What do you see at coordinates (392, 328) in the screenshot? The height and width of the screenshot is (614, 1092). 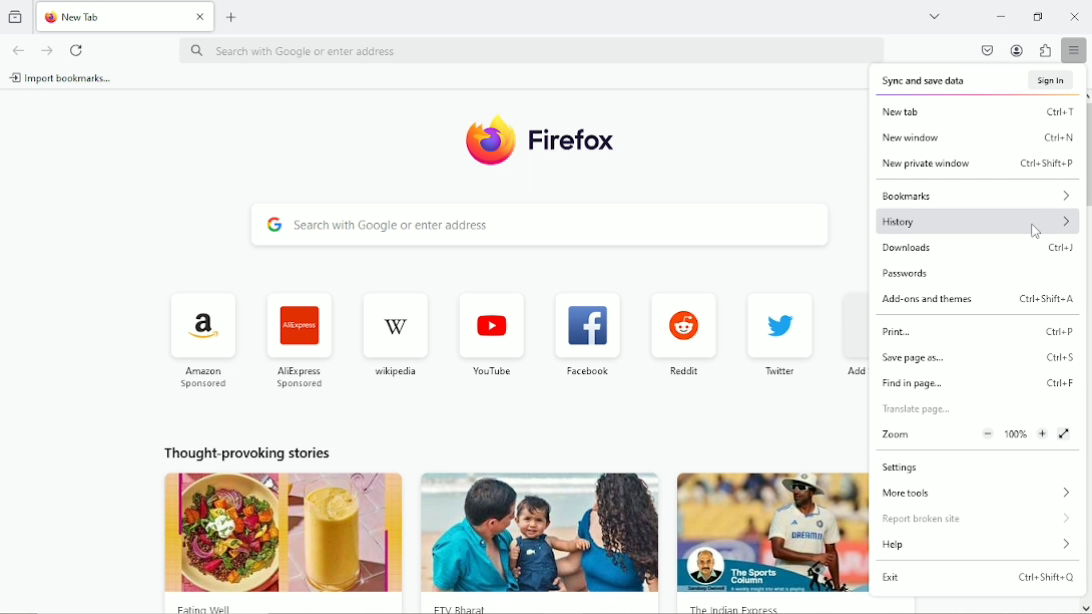 I see `icon` at bounding box center [392, 328].